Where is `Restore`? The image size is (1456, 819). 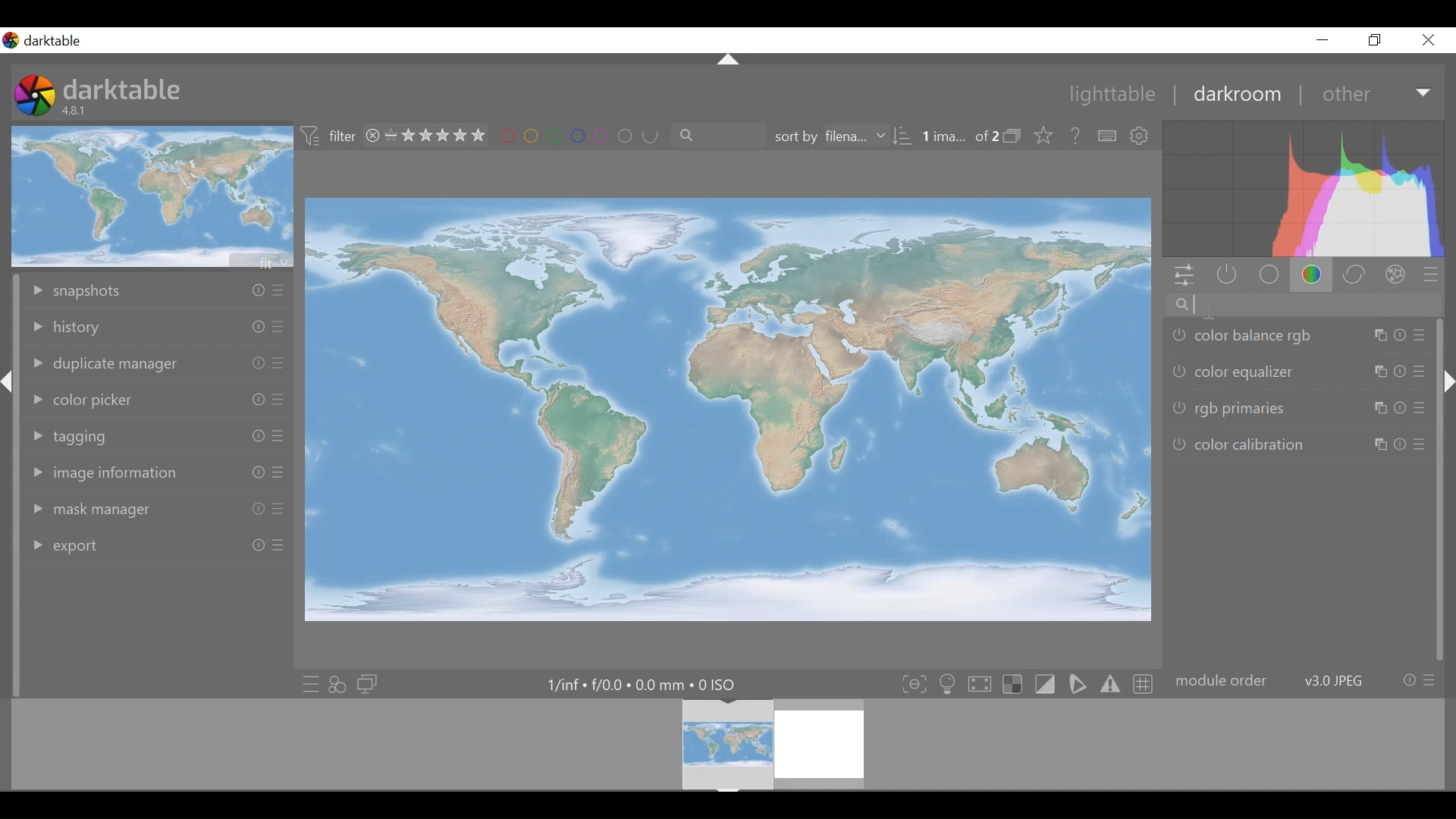
Restore is located at coordinates (1379, 39).